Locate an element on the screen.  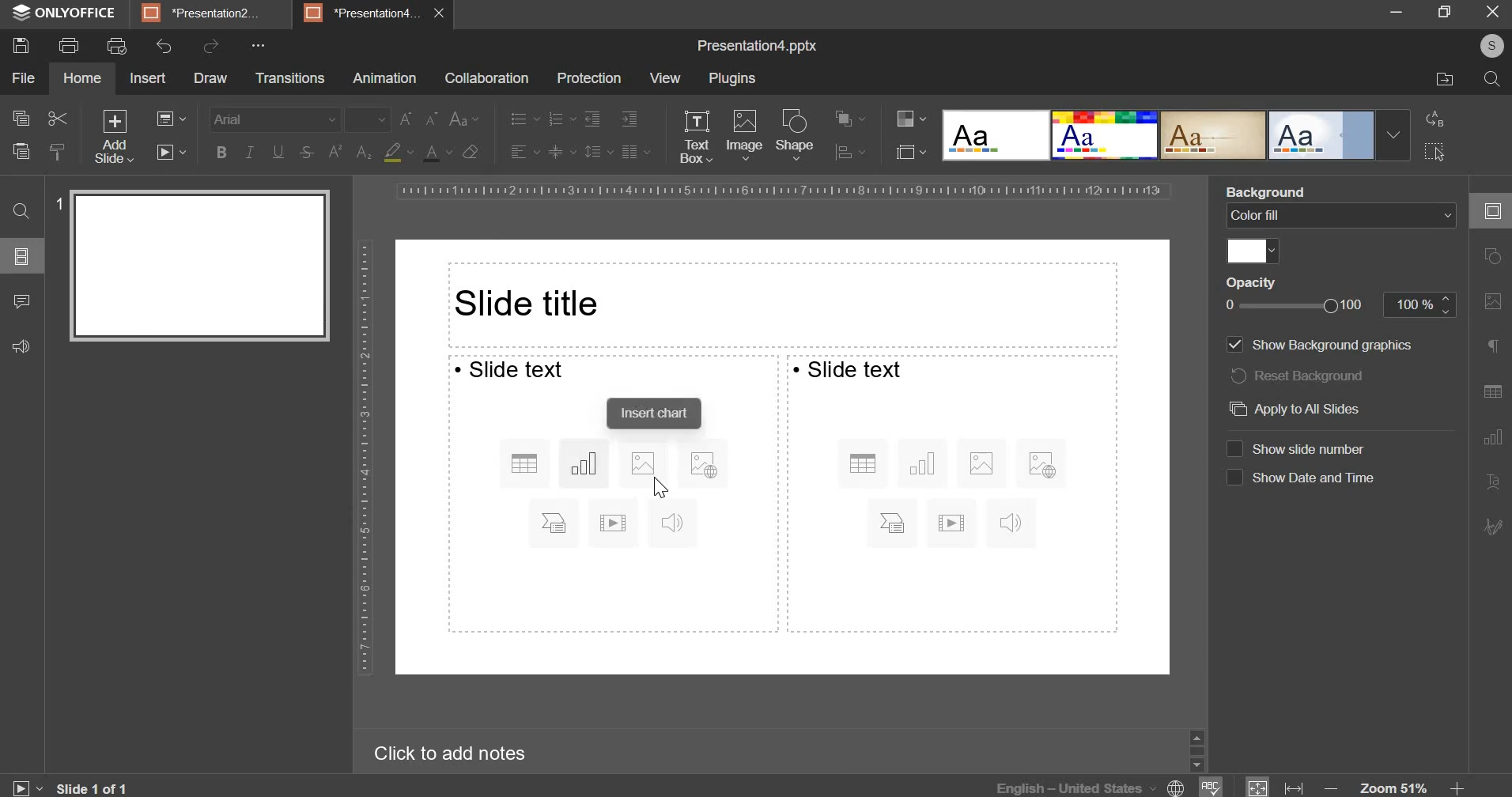
slides is located at coordinates (20, 257).